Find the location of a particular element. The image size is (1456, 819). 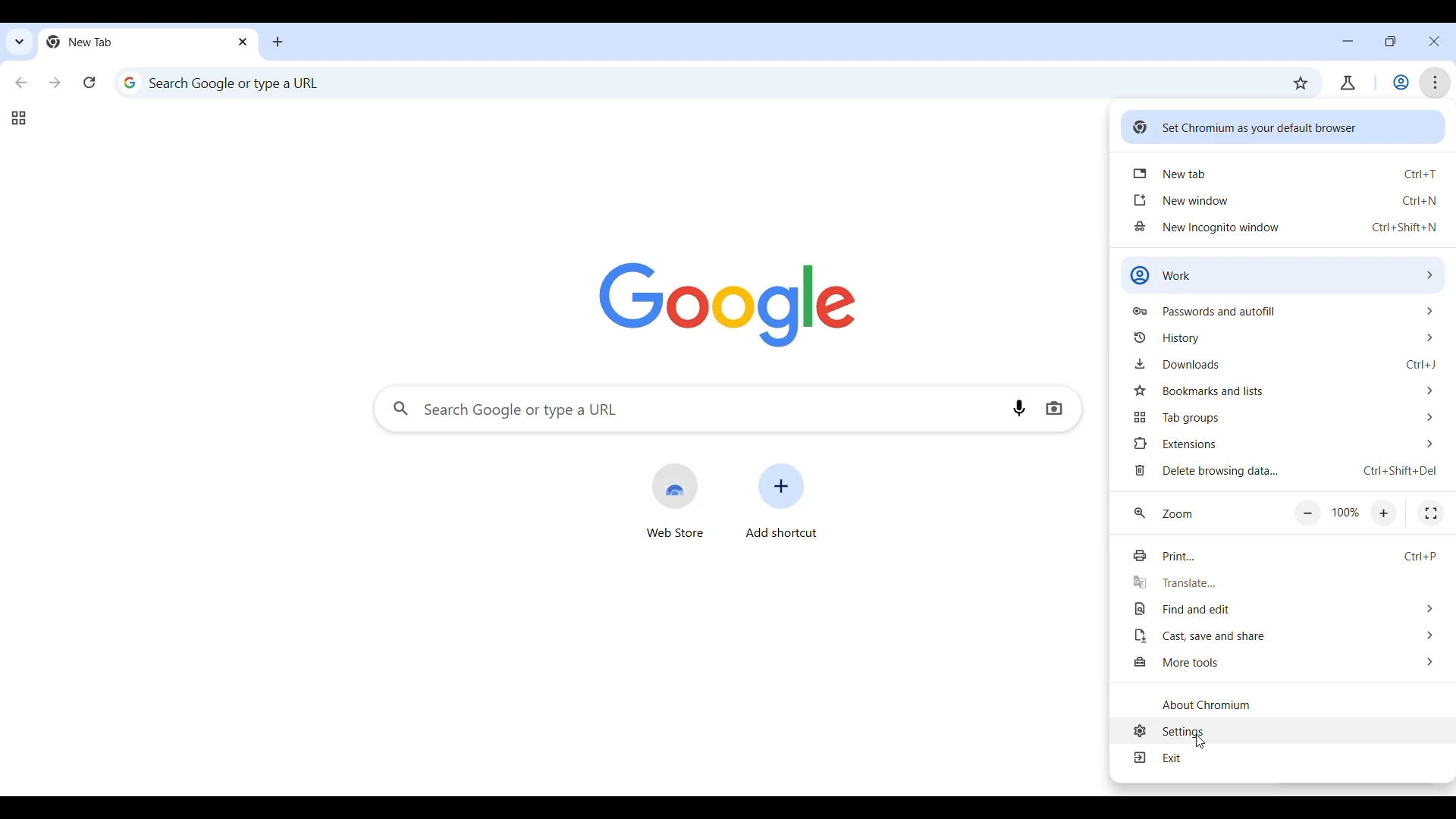

Find and edit options is located at coordinates (1285, 608).